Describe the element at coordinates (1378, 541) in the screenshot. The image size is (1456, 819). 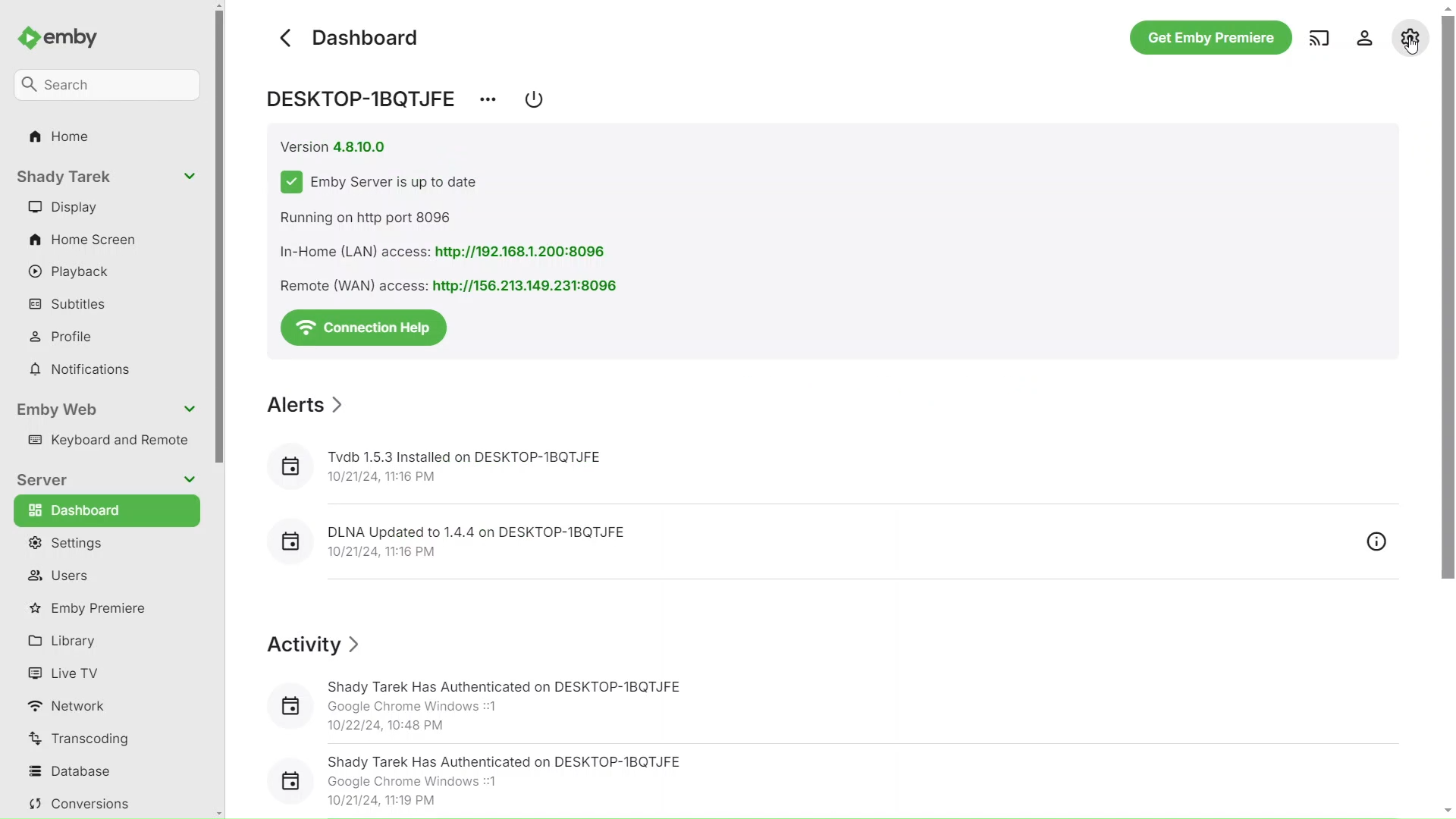
I see `view activity` at that location.